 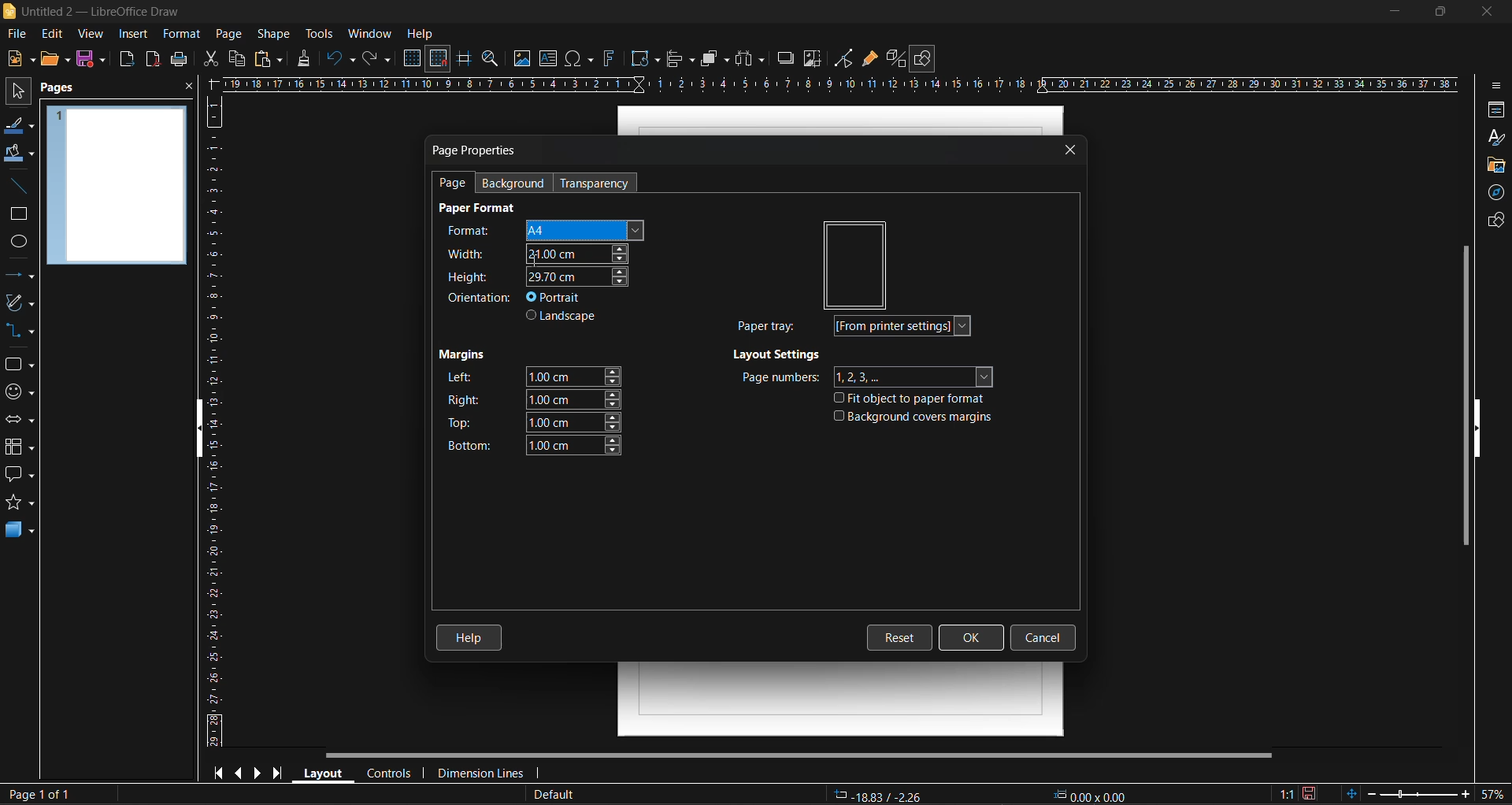 I want to click on fit object to paper format, so click(x=915, y=401).